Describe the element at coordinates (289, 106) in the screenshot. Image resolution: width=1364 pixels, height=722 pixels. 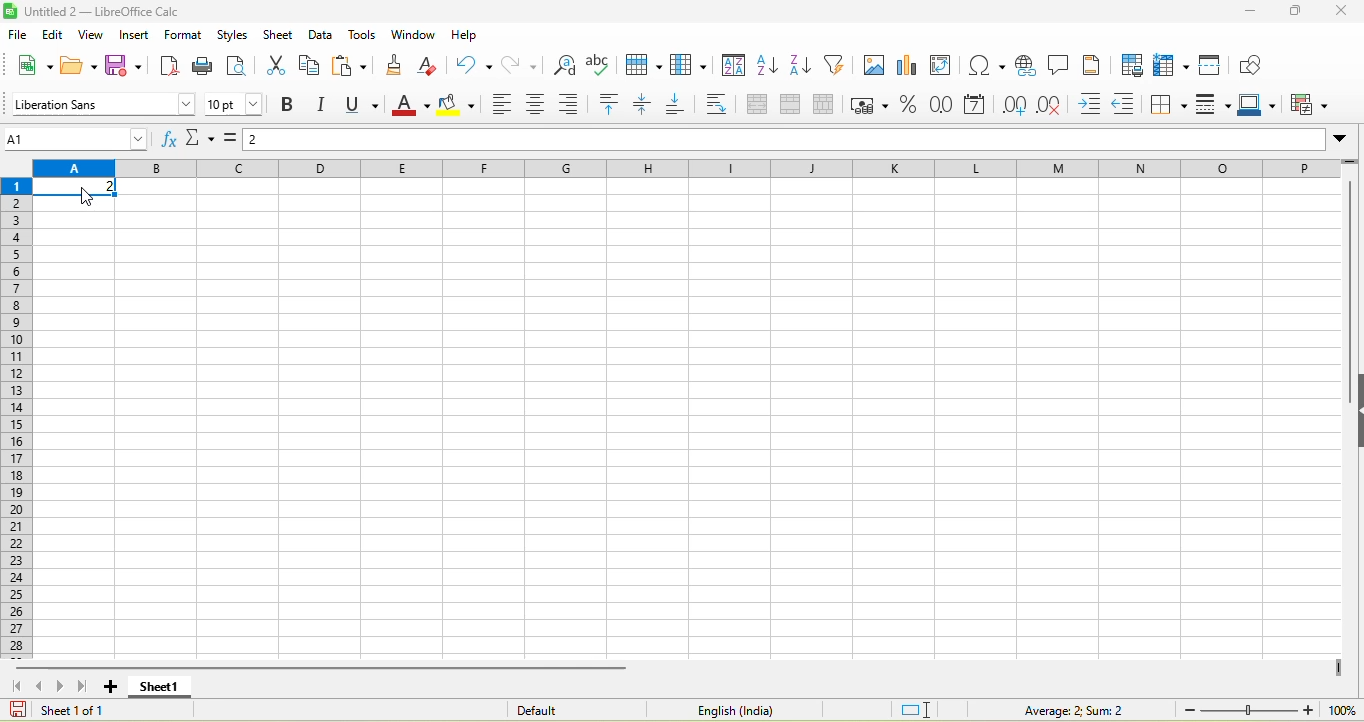
I see `bold` at that location.